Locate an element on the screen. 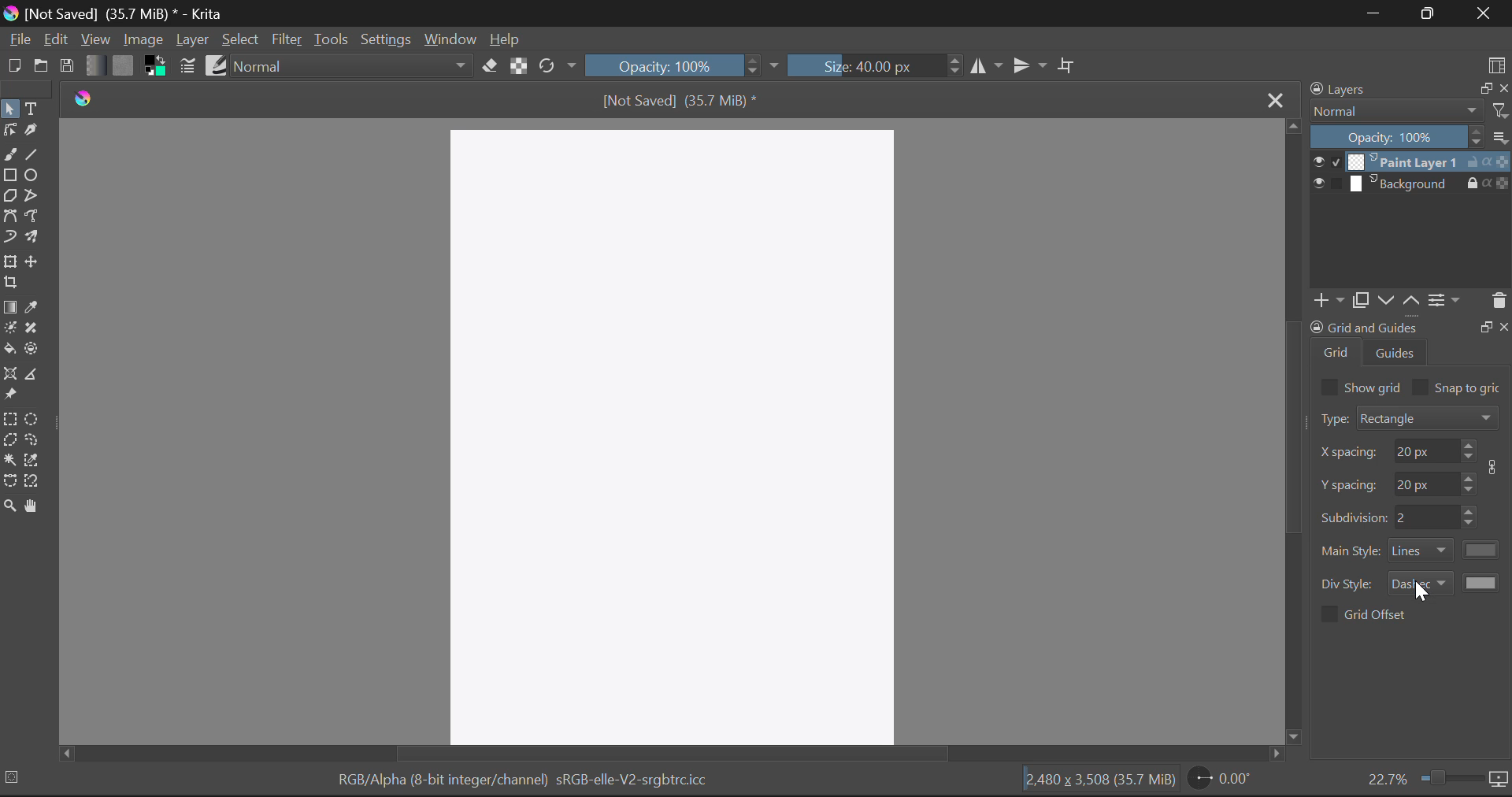 This screenshot has height=797, width=1512. style is located at coordinates (1421, 550).